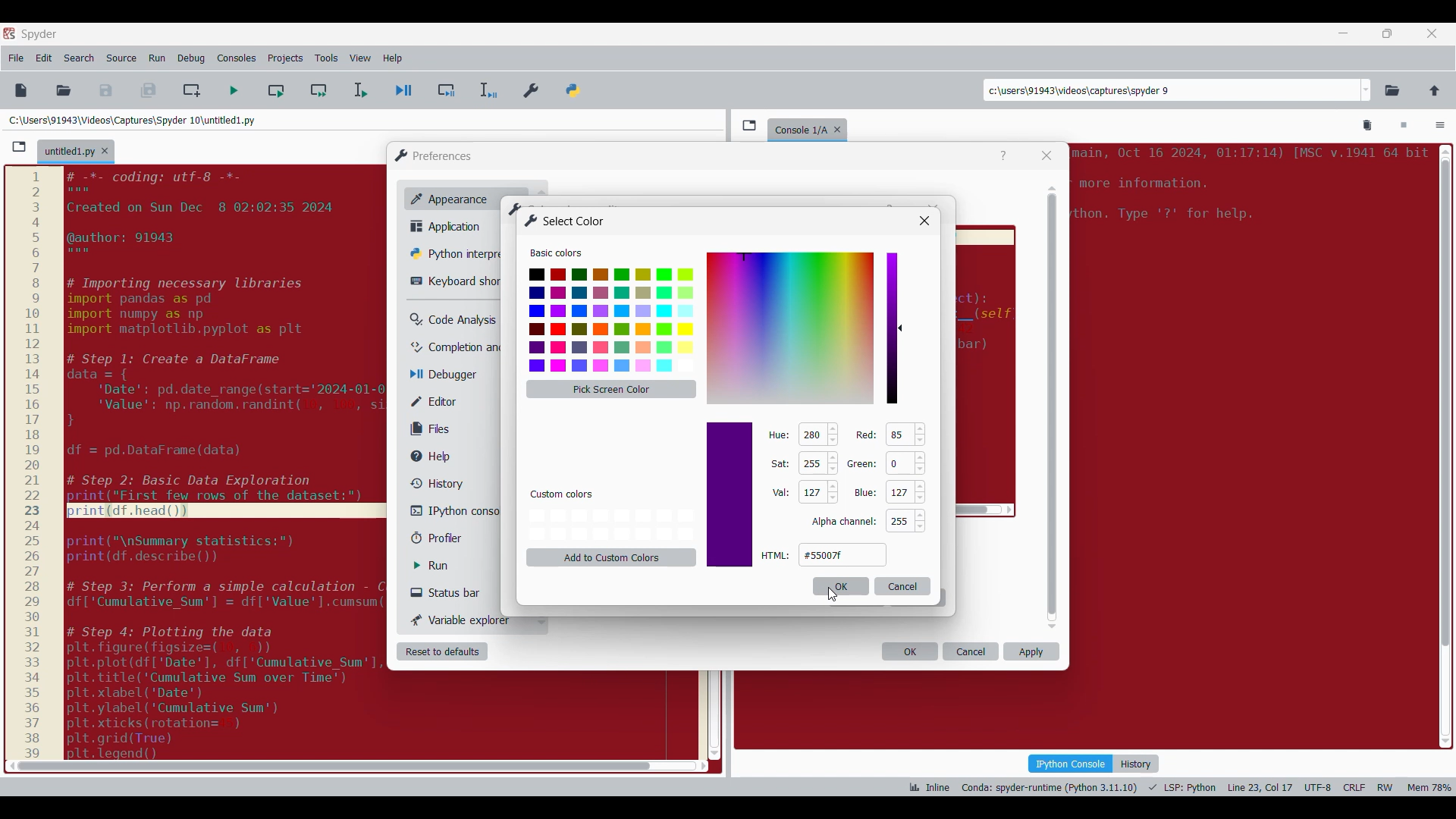  Describe the element at coordinates (1136, 764) in the screenshot. I see `History` at that location.